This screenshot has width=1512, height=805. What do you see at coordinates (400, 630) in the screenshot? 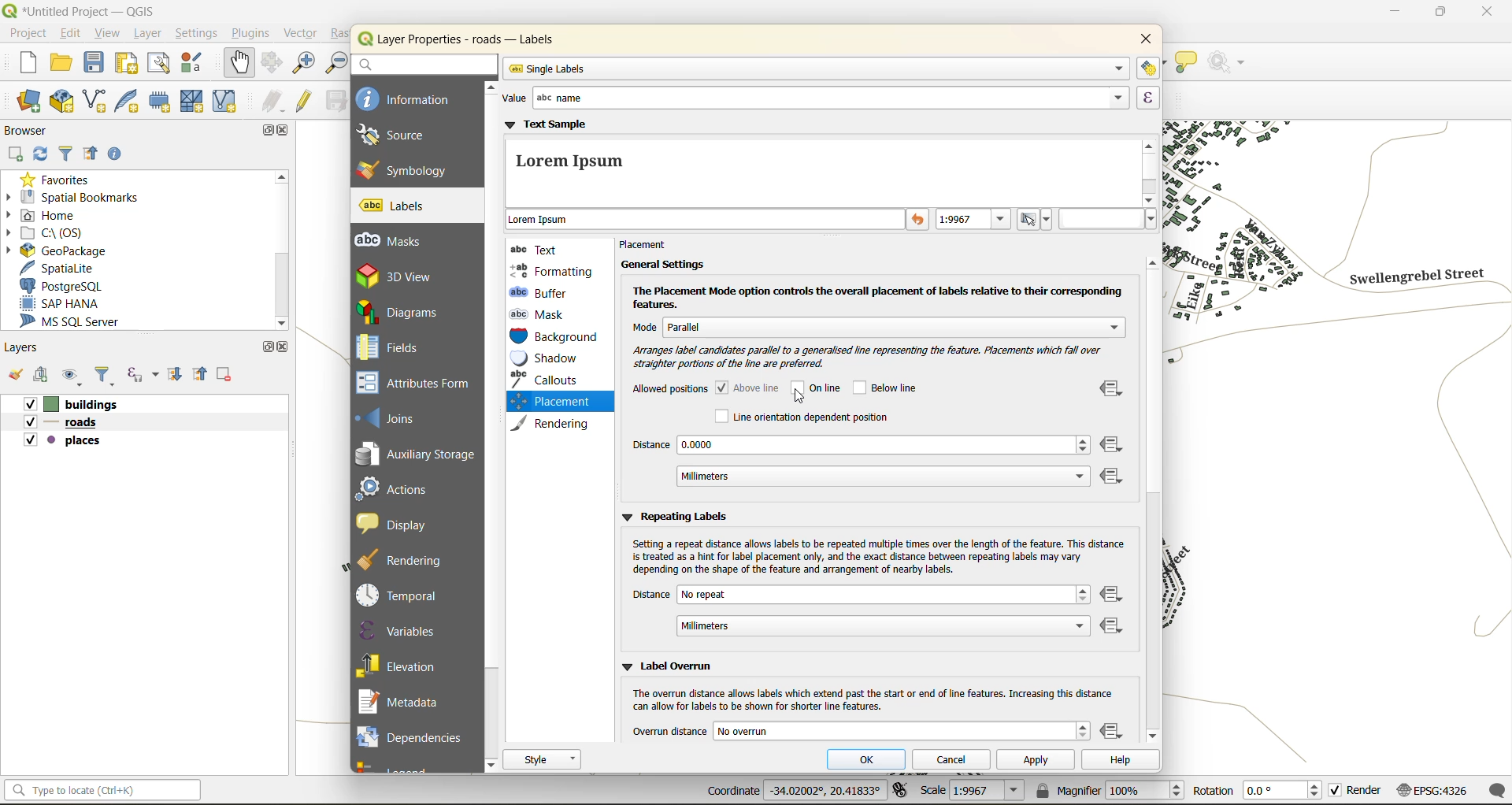
I see `variables` at bounding box center [400, 630].